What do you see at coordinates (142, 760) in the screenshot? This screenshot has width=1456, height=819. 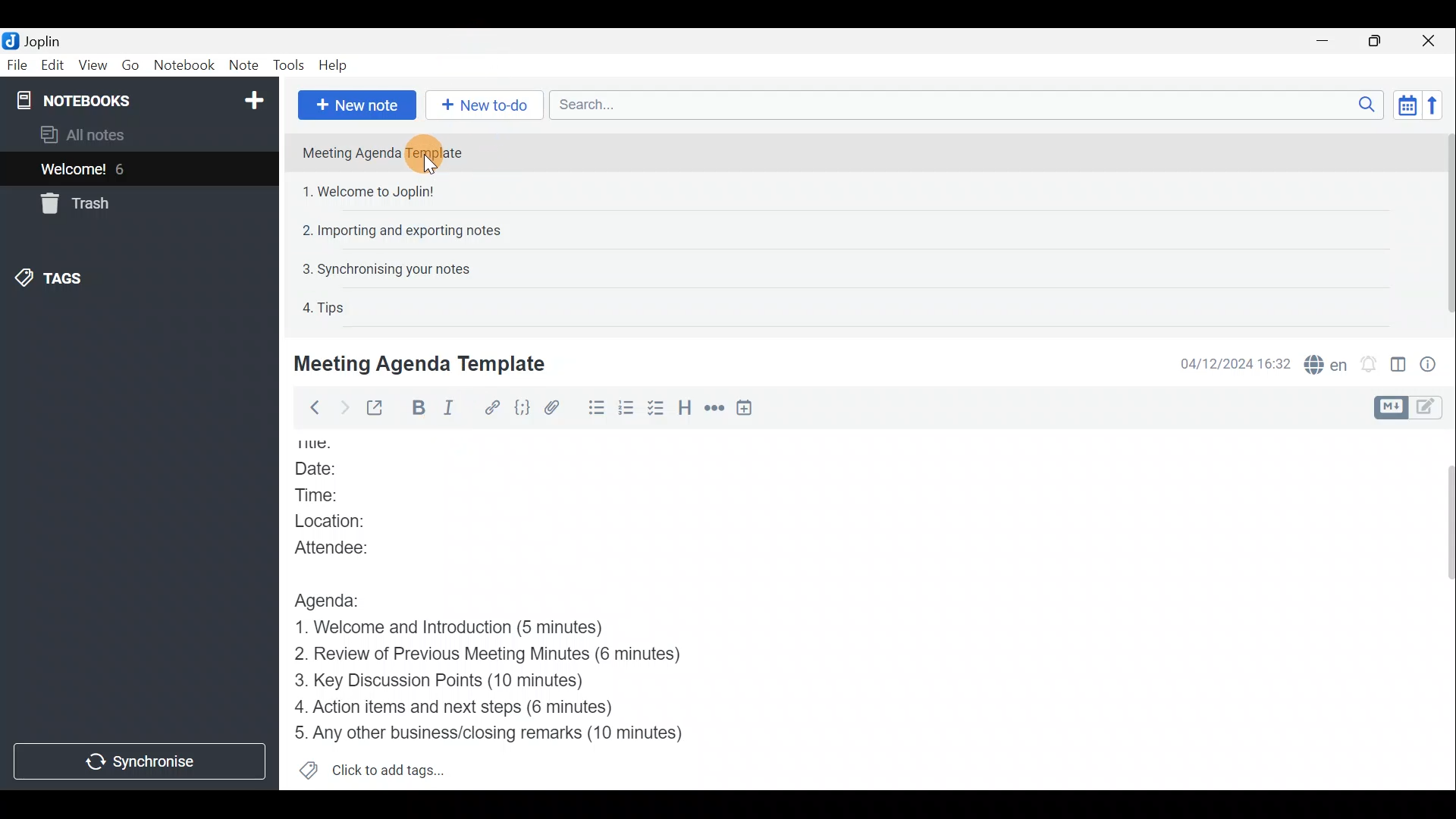 I see `Synchronise` at bounding box center [142, 760].